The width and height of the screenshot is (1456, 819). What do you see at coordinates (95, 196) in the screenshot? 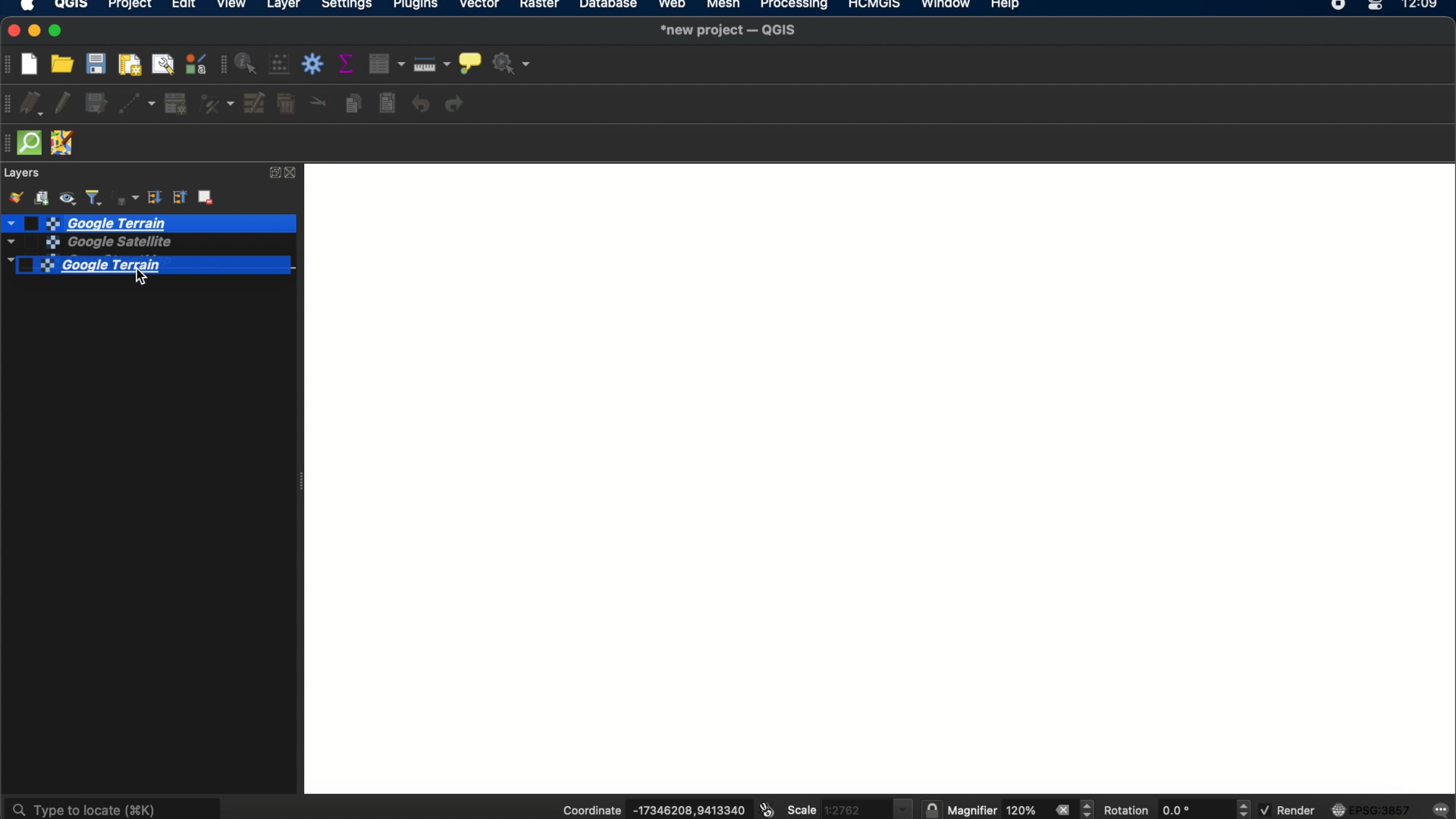
I see `filter legend` at bounding box center [95, 196].